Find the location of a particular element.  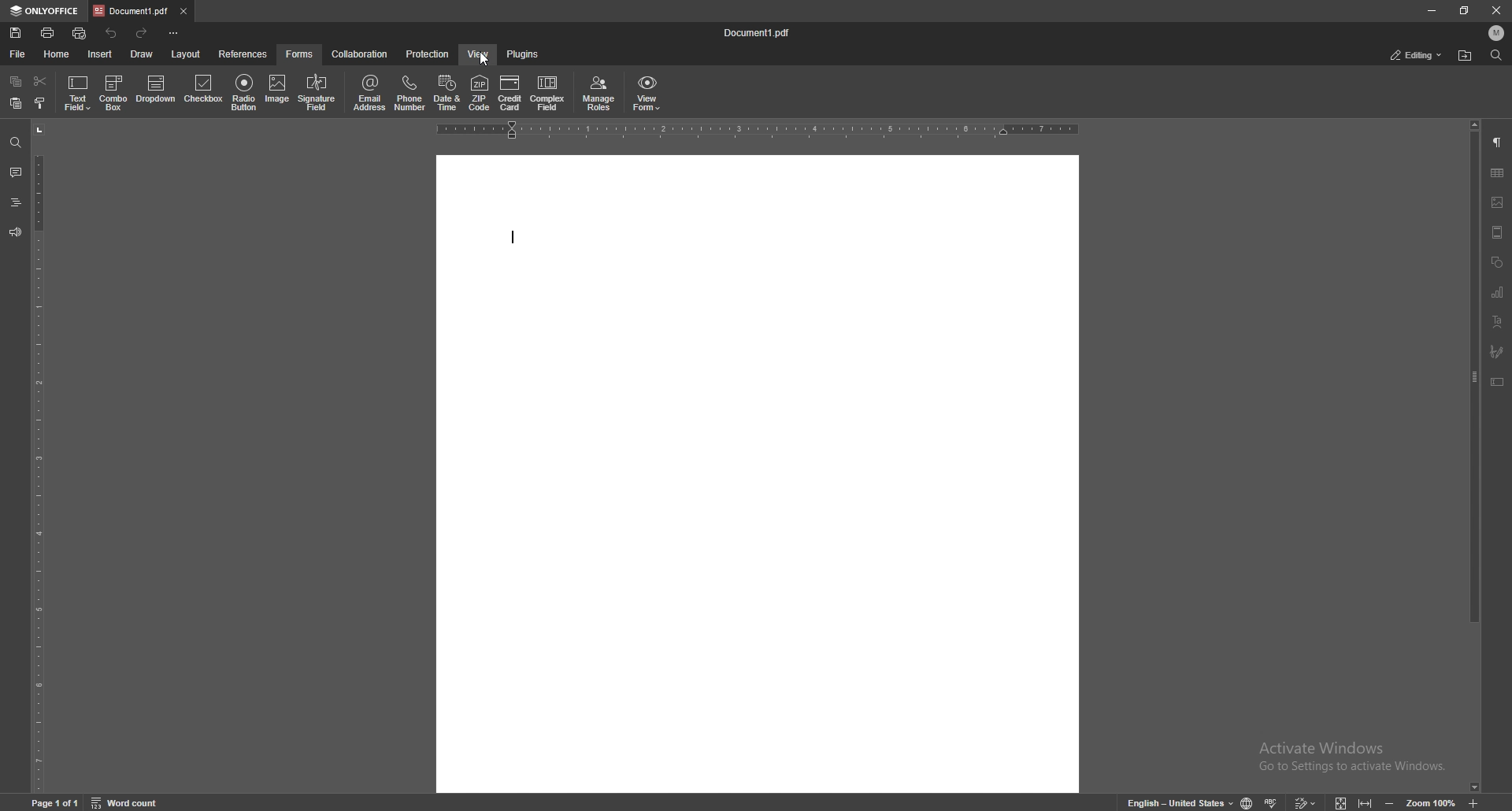

file is located at coordinates (18, 54).